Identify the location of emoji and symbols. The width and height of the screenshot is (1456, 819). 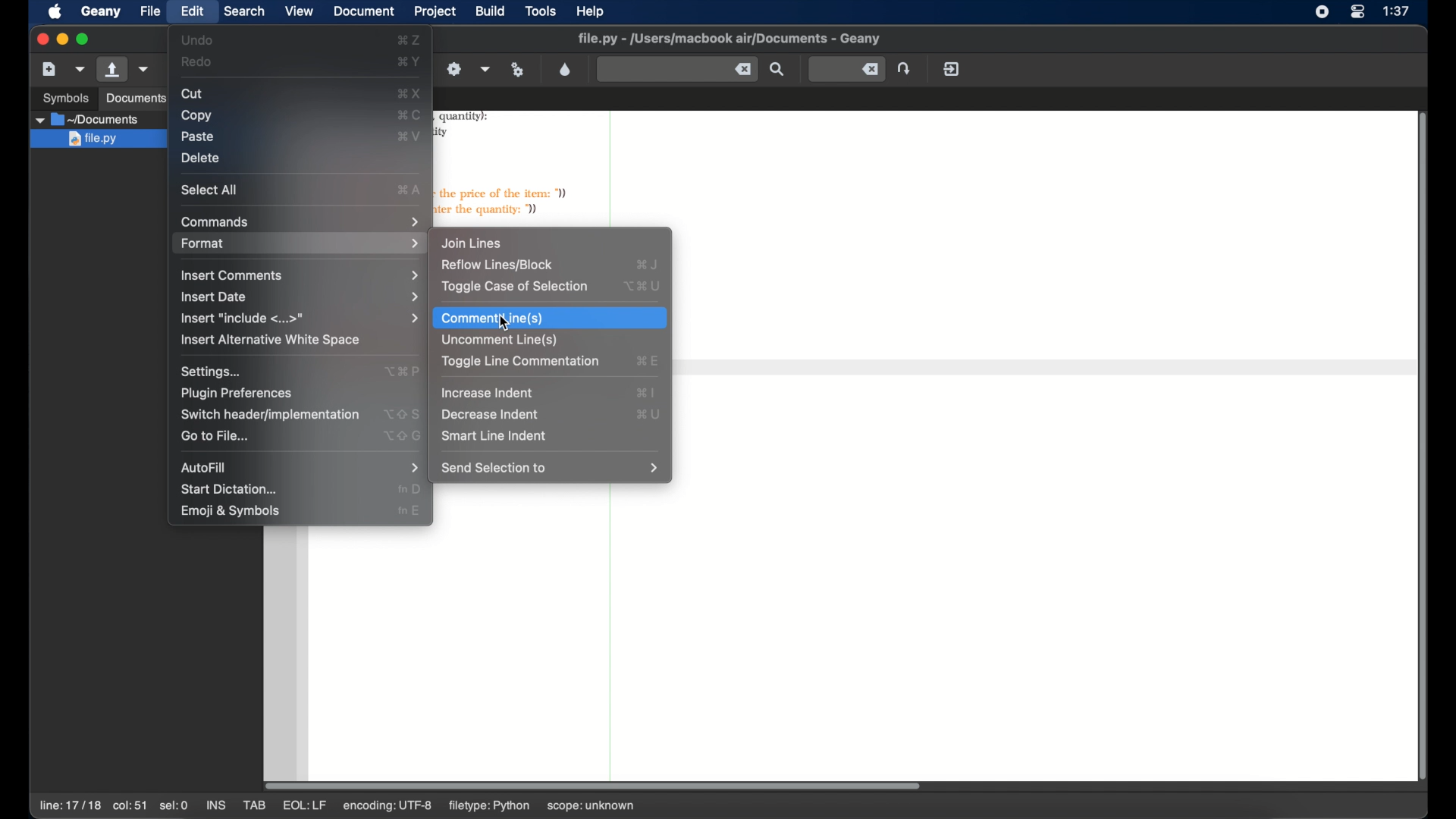
(231, 511).